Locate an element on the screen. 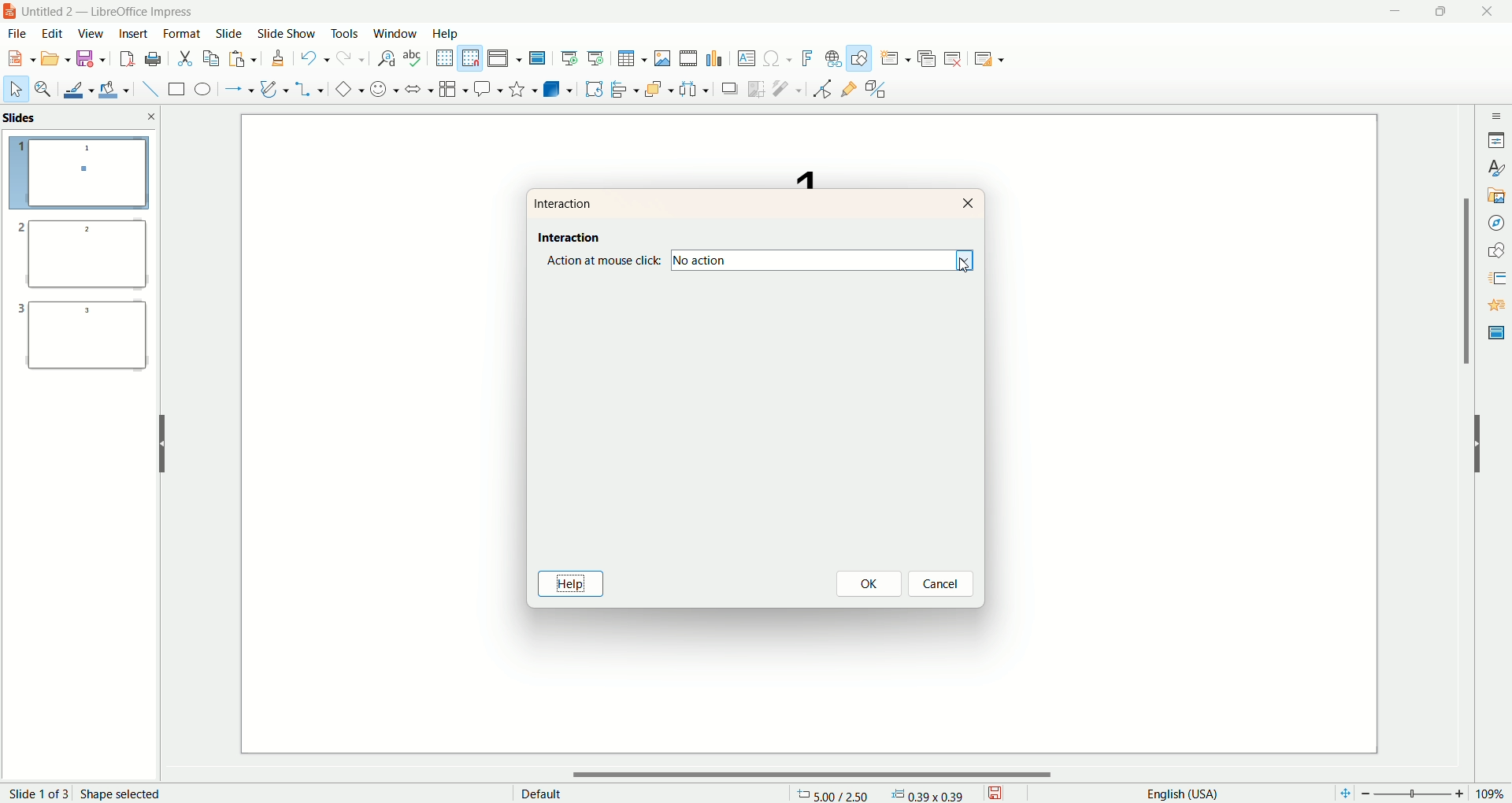 This screenshot has width=1512, height=803. basic shapes is located at coordinates (346, 90).